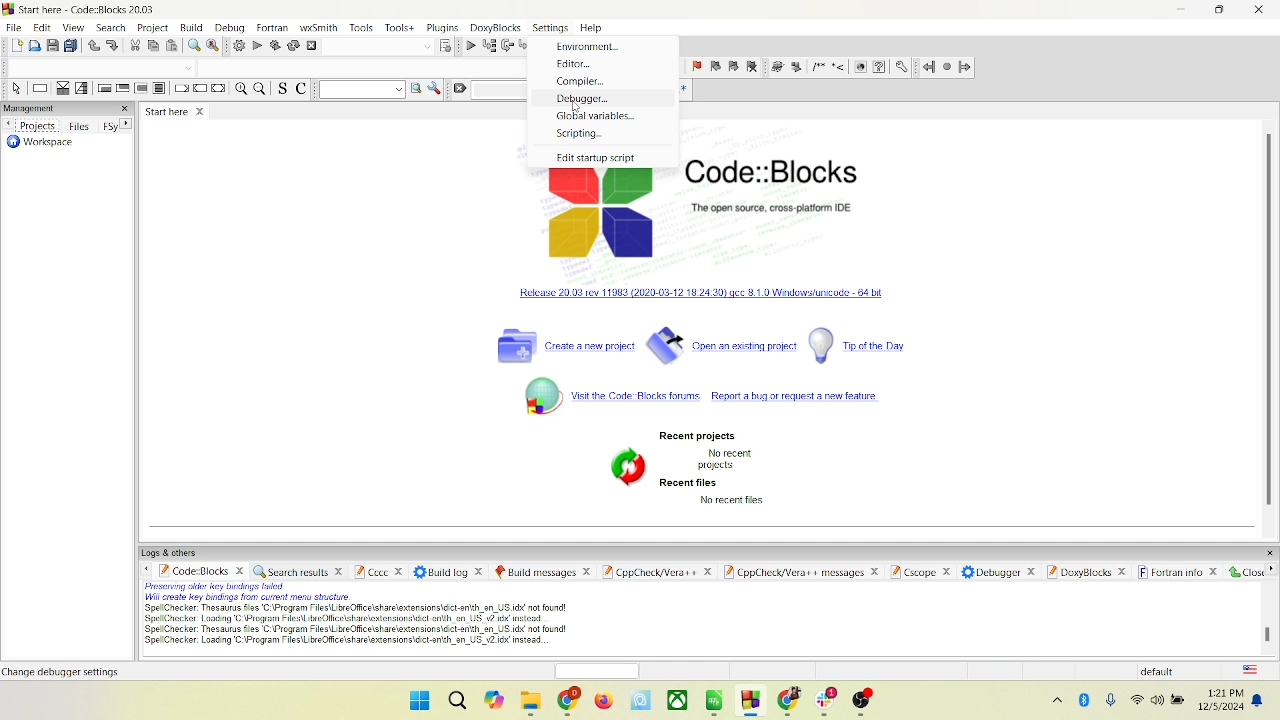 The height and width of the screenshot is (720, 1280). What do you see at coordinates (503, 91) in the screenshot?
I see `blank space` at bounding box center [503, 91].